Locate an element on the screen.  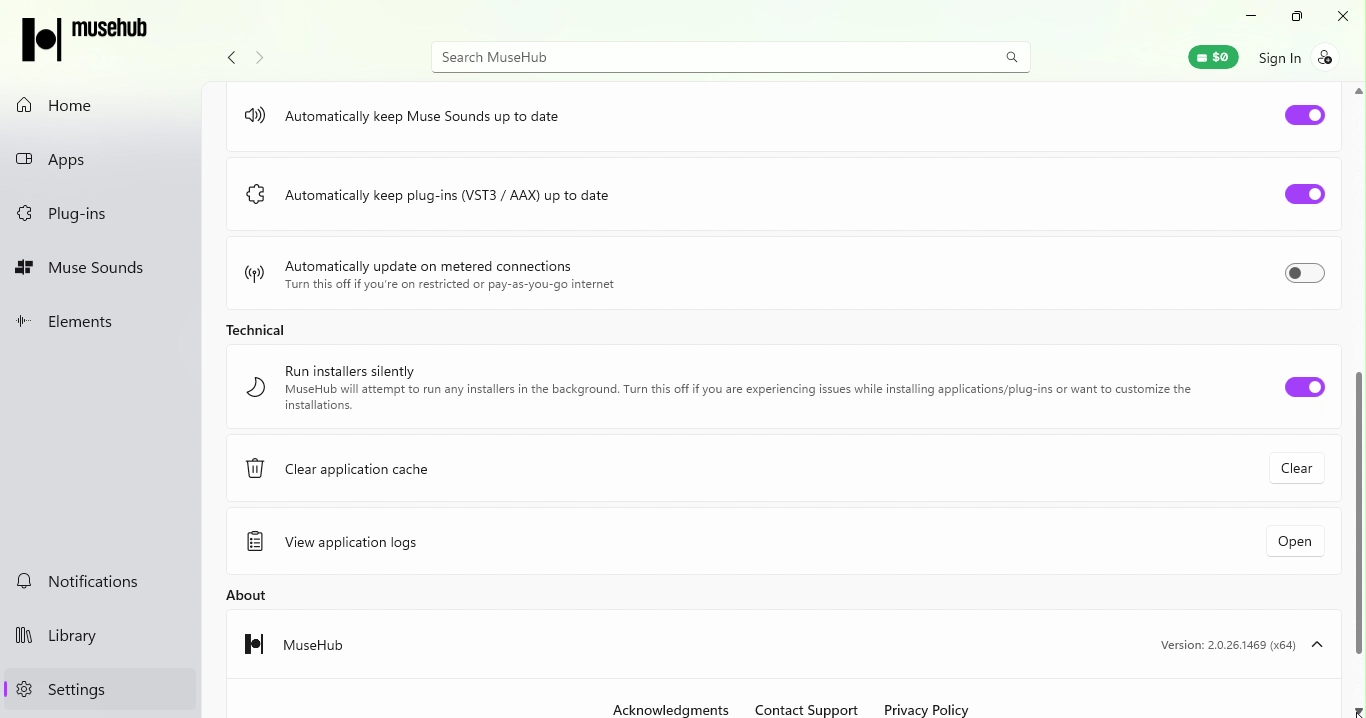
Version is located at coordinates (1238, 642).